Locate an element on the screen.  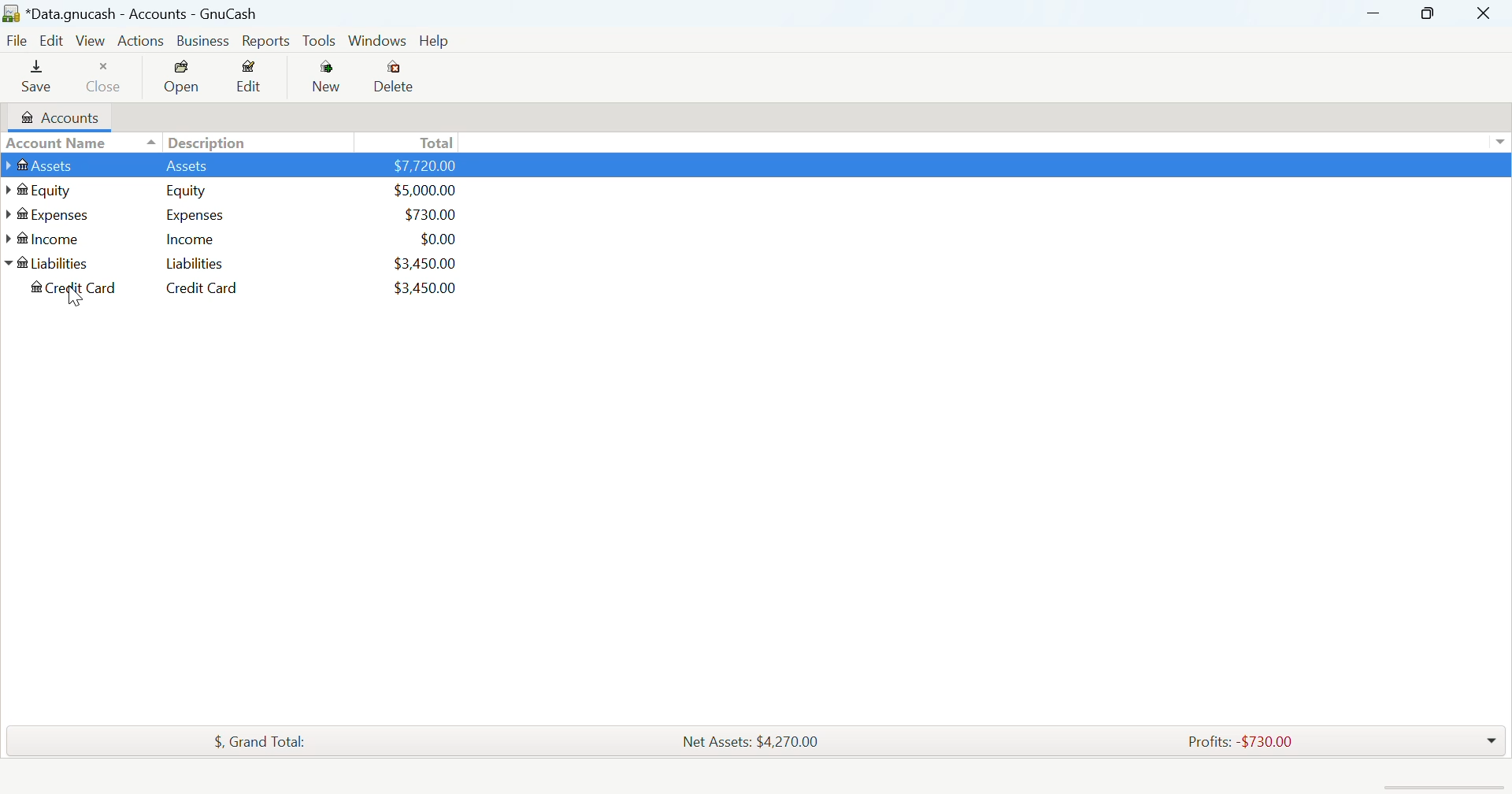
Delete is located at coordinates (397, 76).